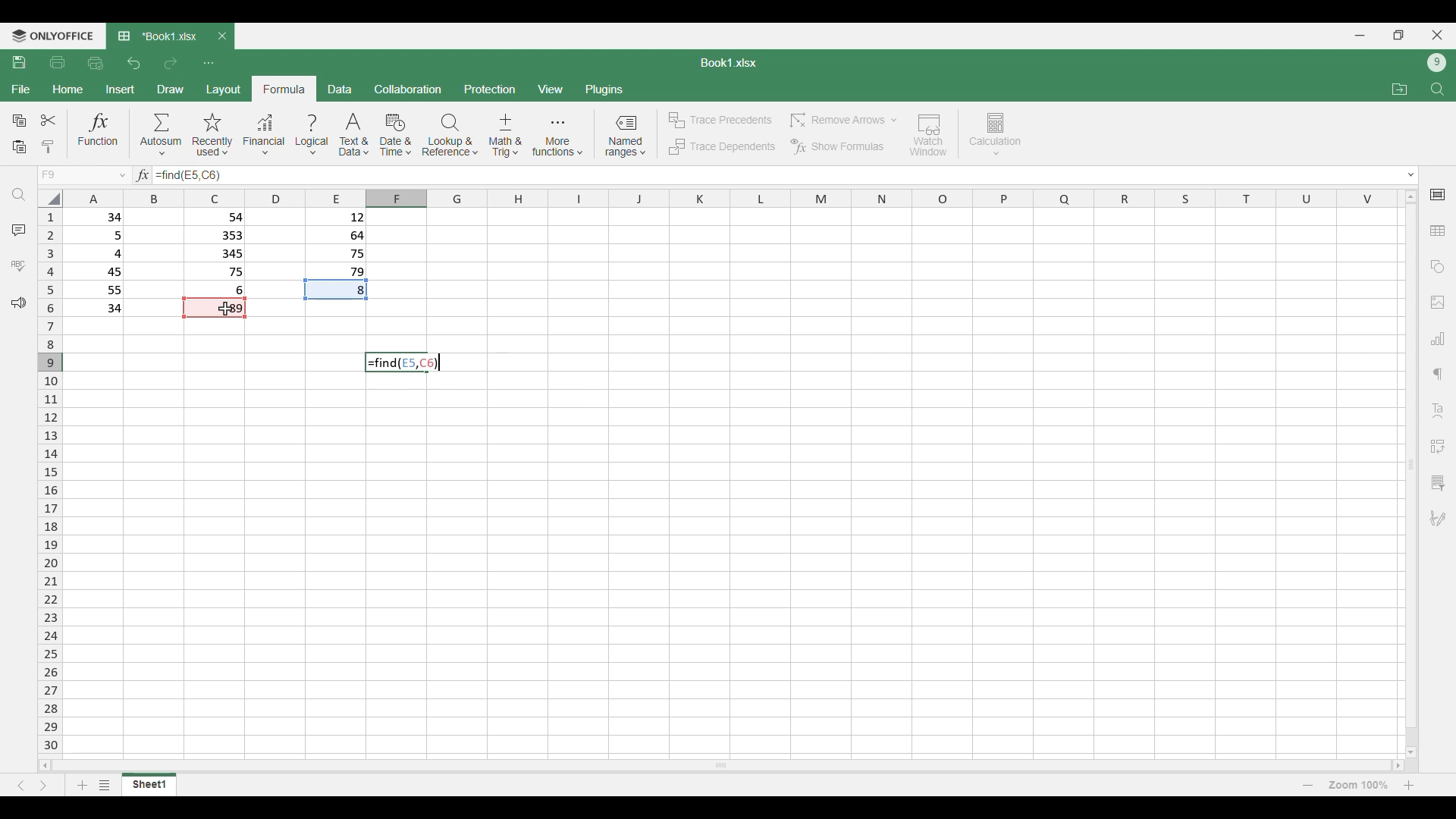 This screenshot has height=819, width=1456. What do you see at coordinates (43, 786) in the screenshot?
I see `Next` at bounding box center [43, 786].